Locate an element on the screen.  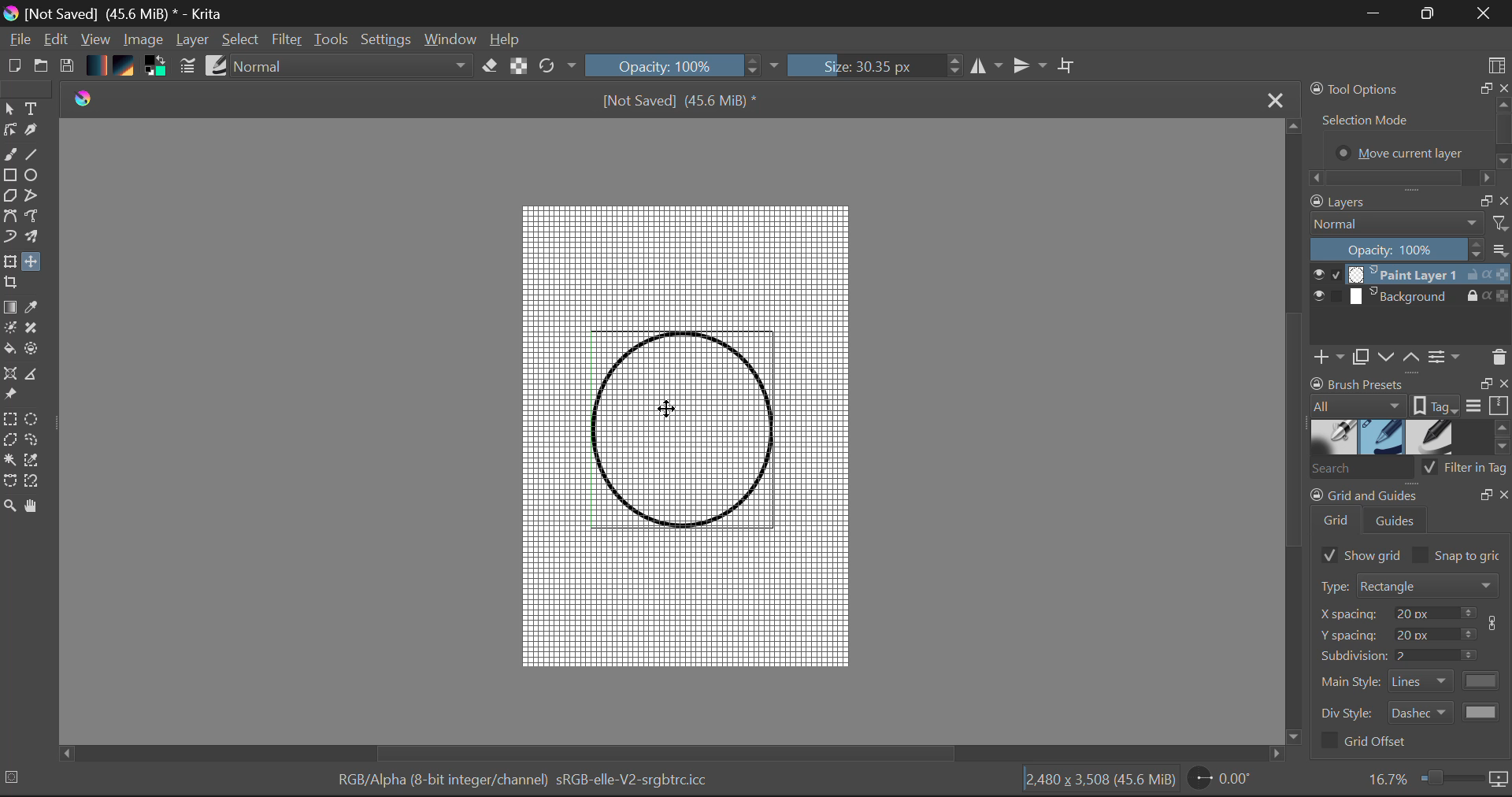
Crop is located at coordinates (1069, 69).